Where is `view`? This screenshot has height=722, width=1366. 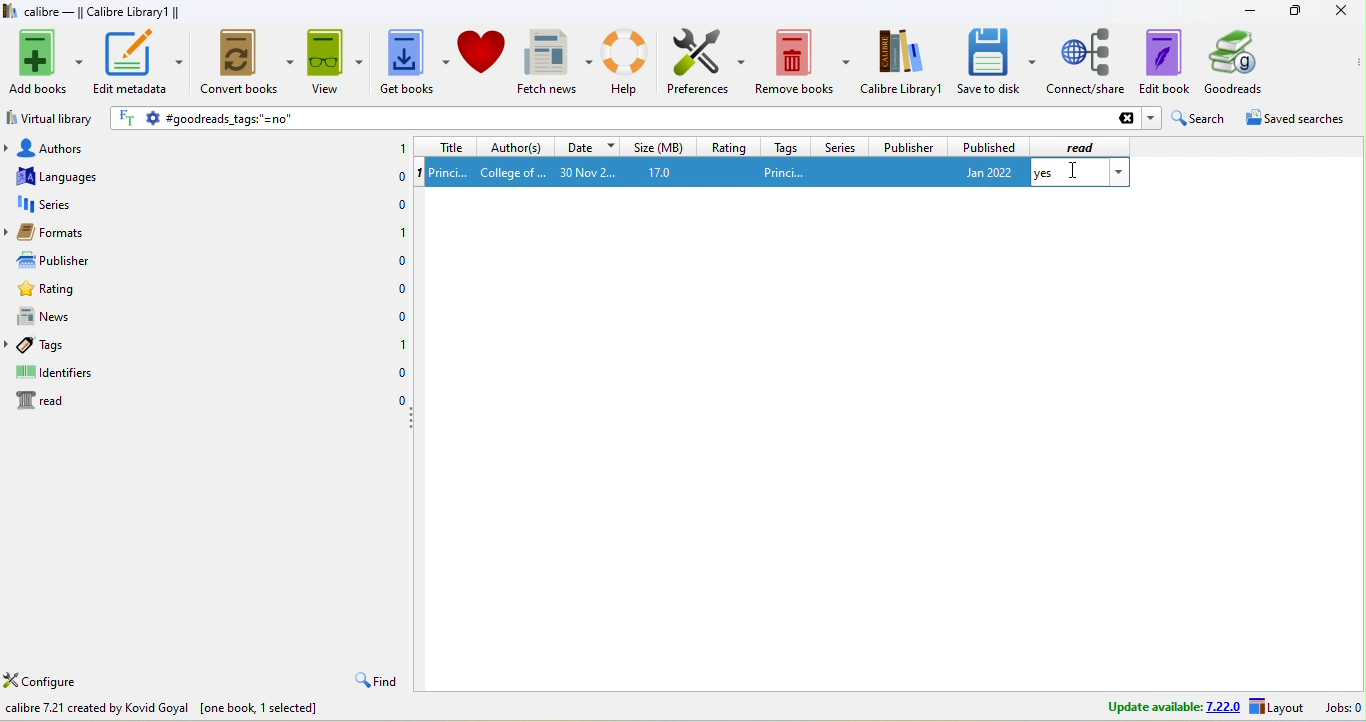
view is located at coordinates (335, 61).